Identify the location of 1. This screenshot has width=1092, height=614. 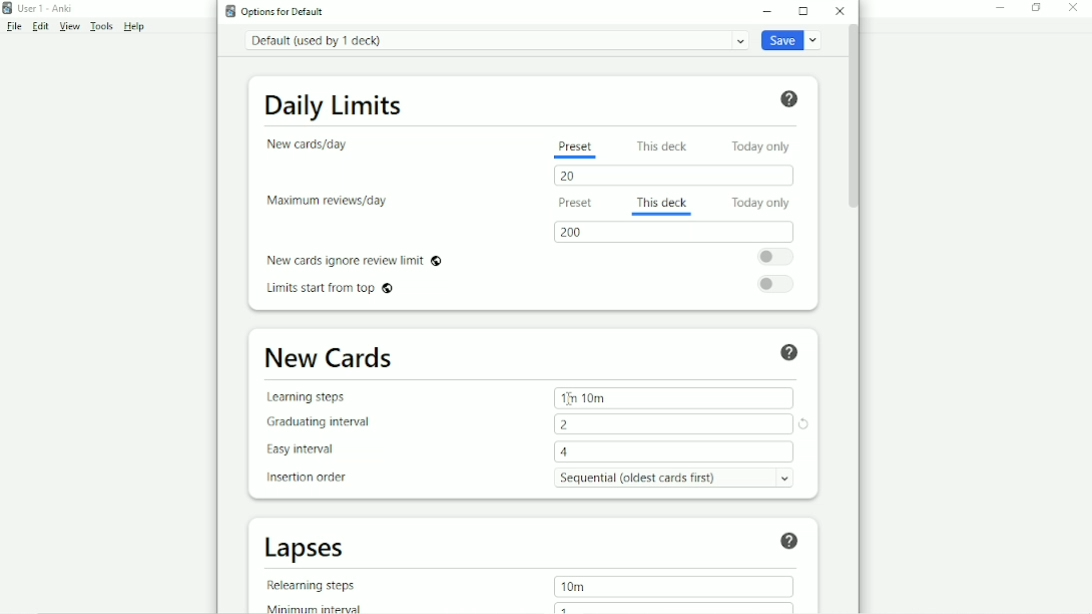
(568, 608).